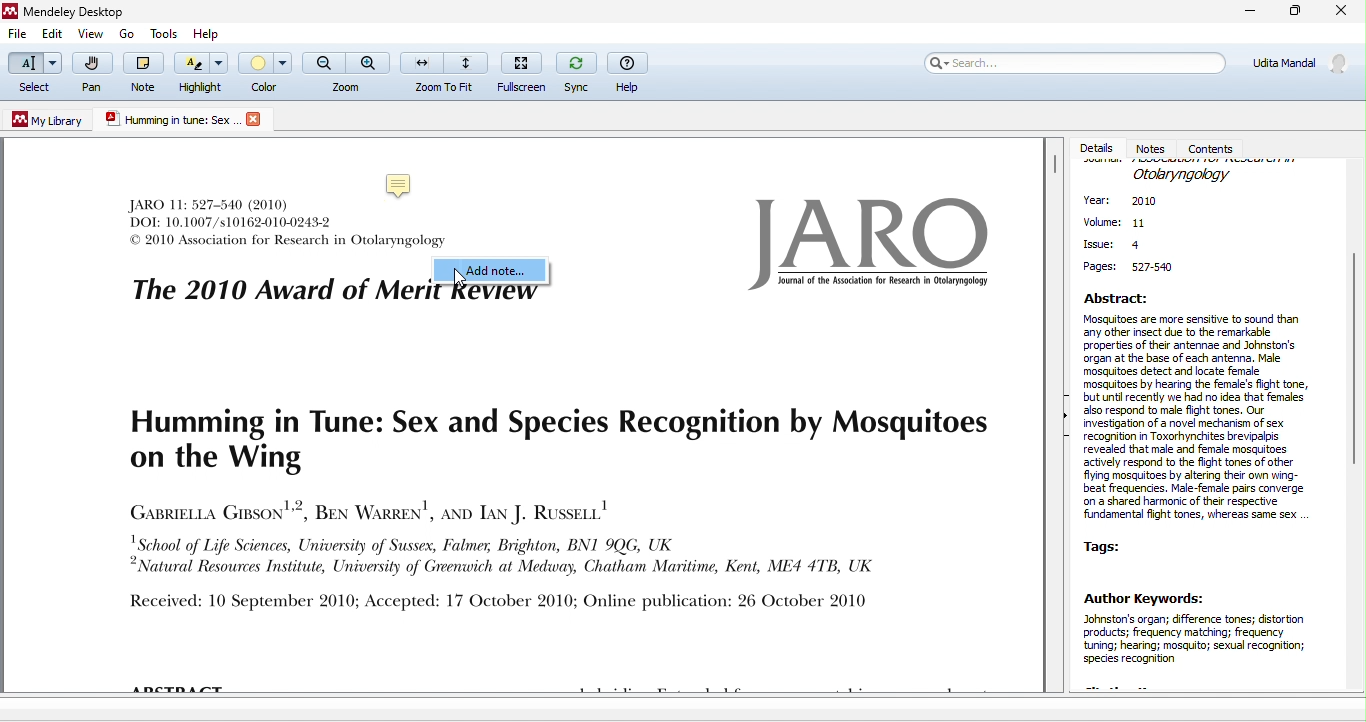 This screenshot has width=1366, height=722. I want to click on volume:11, so click(1115, 224).